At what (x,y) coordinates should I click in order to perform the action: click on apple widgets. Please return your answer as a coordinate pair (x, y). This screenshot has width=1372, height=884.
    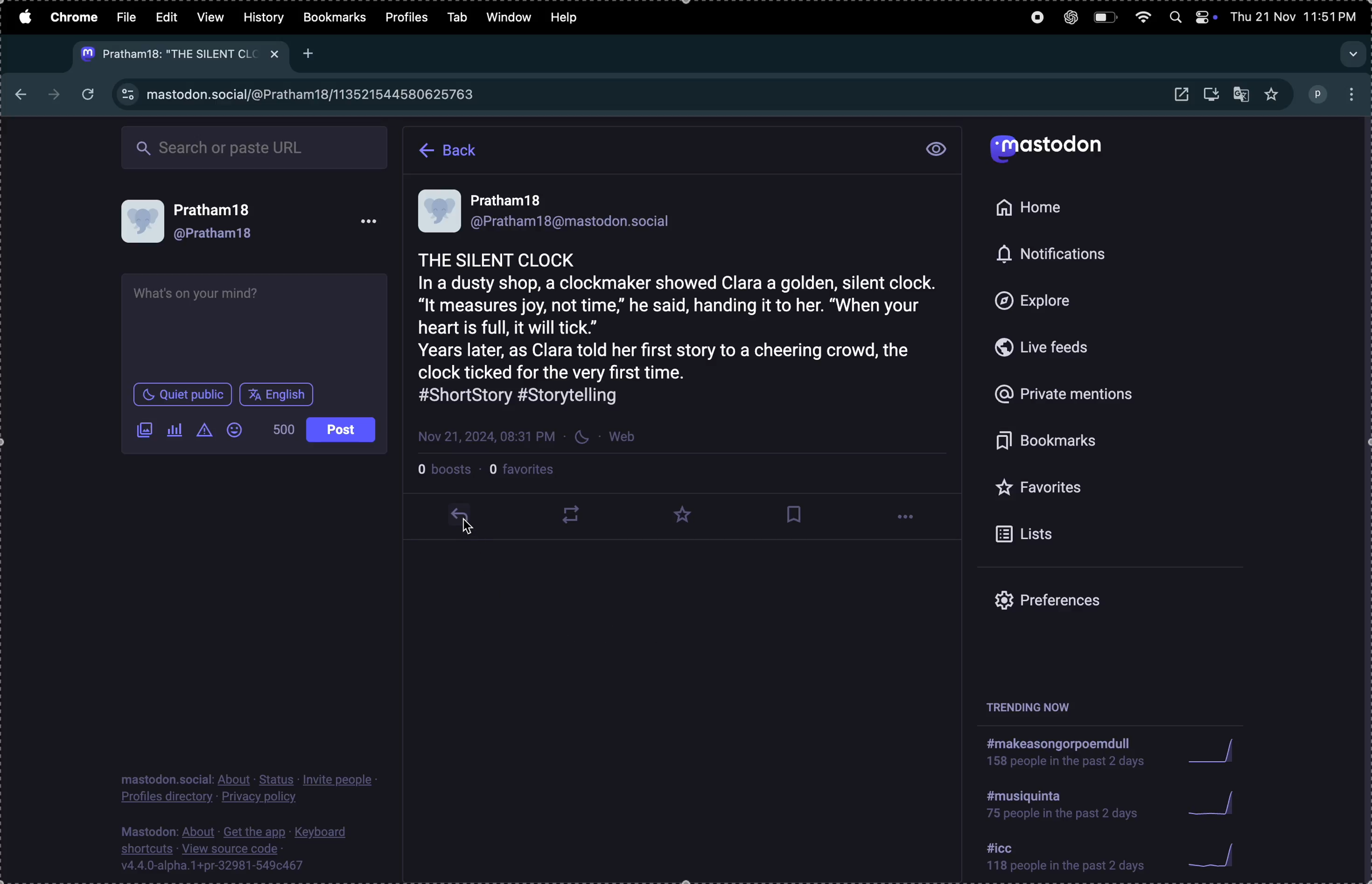
    Looking at the image, I should click on (1205, 15).